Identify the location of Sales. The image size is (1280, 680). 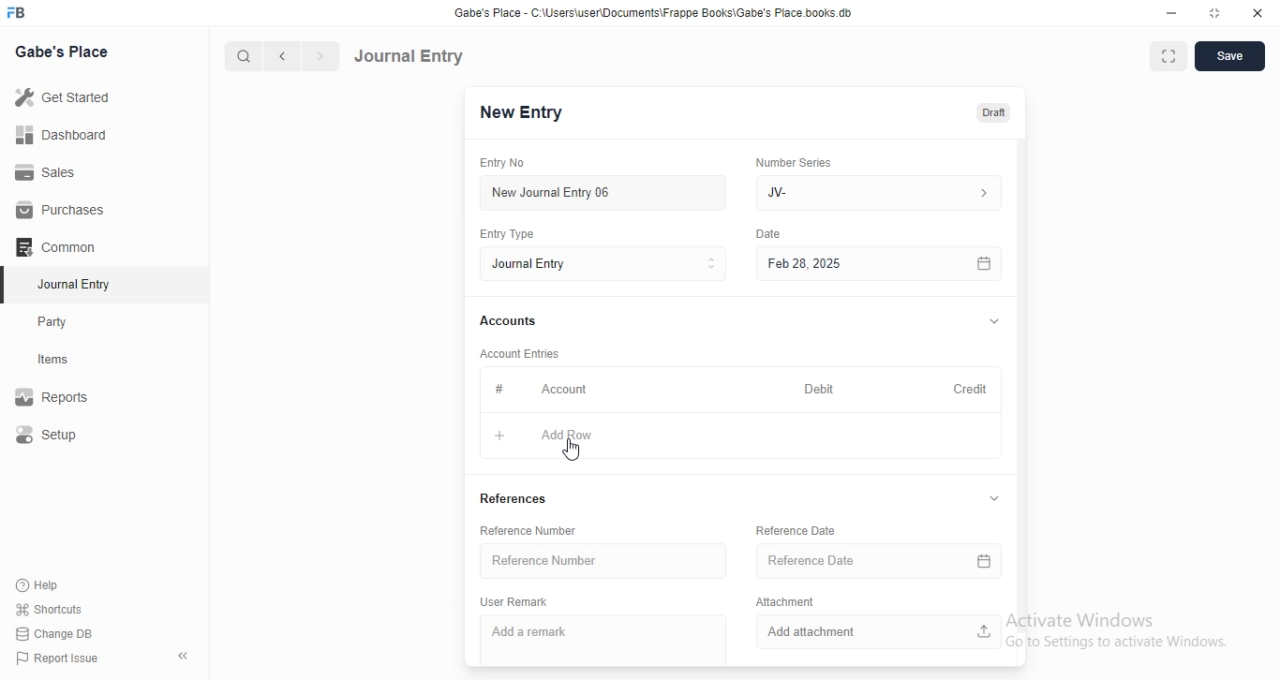
(64, 171).